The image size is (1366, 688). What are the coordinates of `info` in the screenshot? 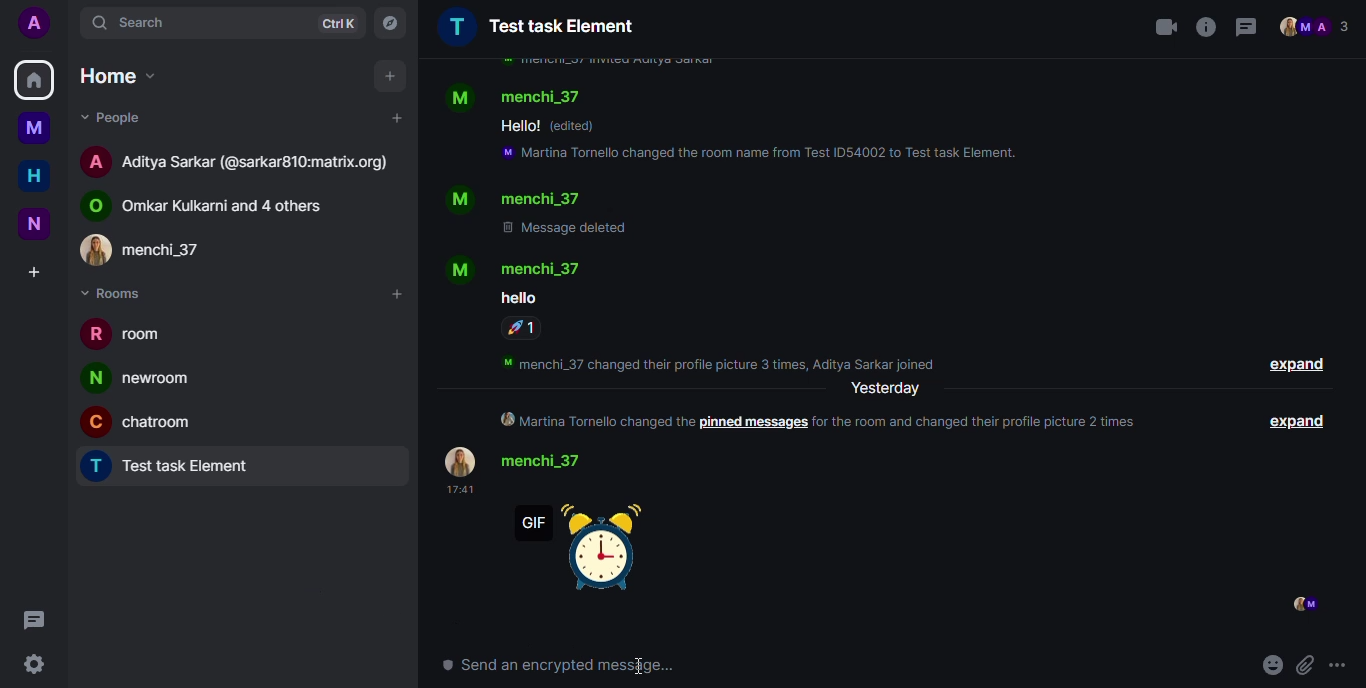 It's located at (1207, 25).